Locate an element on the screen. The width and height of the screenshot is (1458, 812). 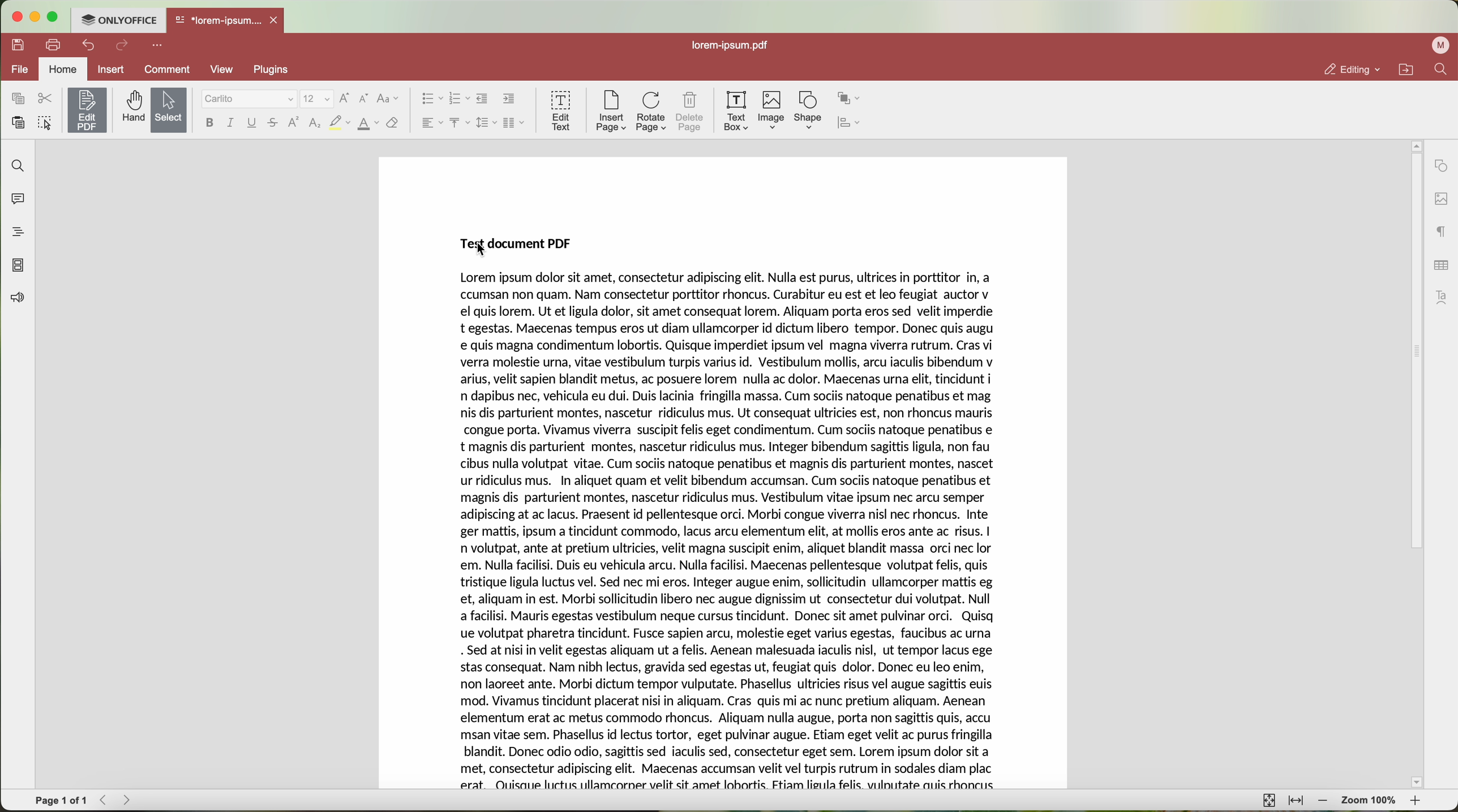
cut is located at coordinates (44, 97).